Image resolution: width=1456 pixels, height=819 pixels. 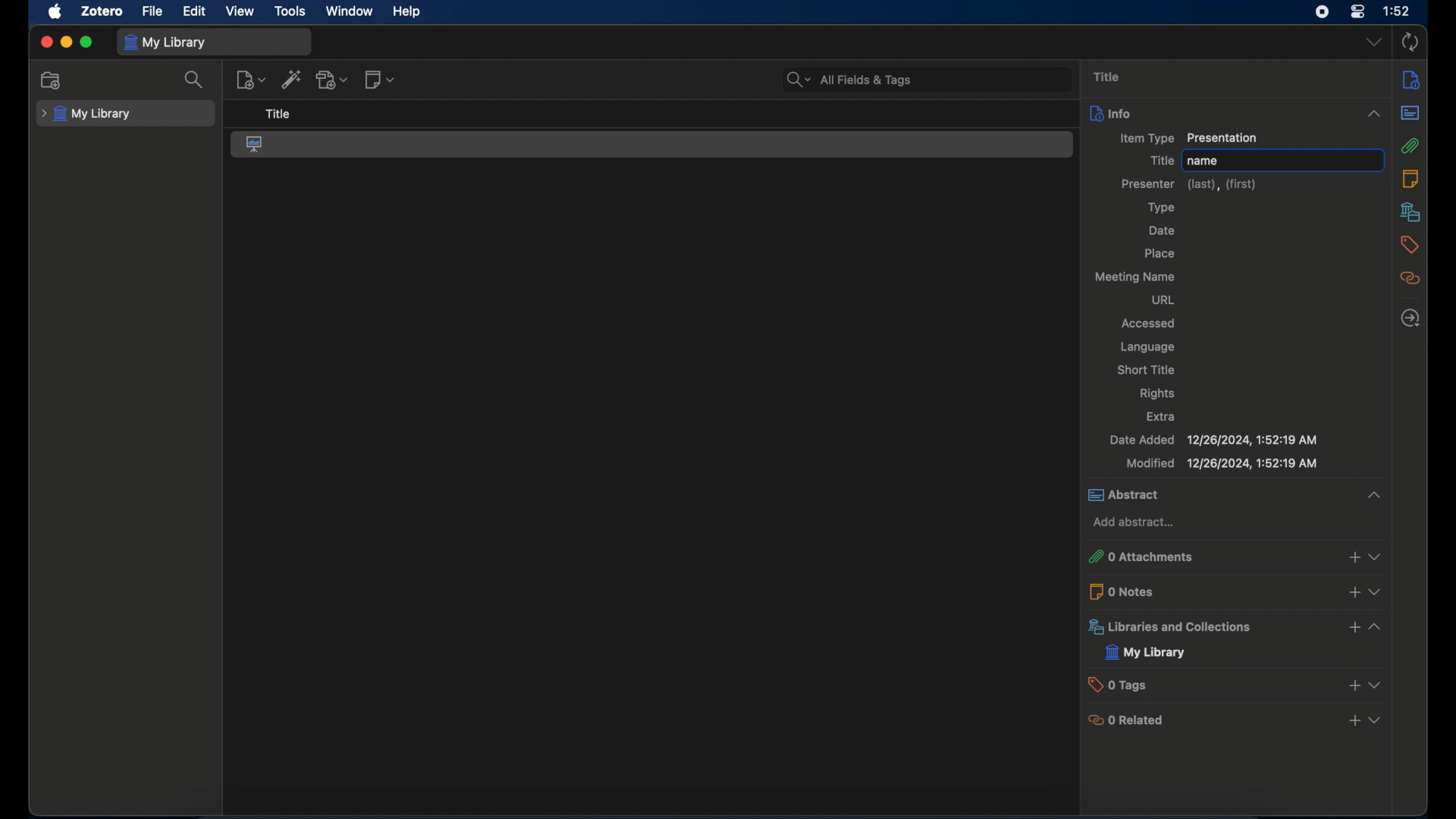 I want to click on edit, so click(x=196, y=11).